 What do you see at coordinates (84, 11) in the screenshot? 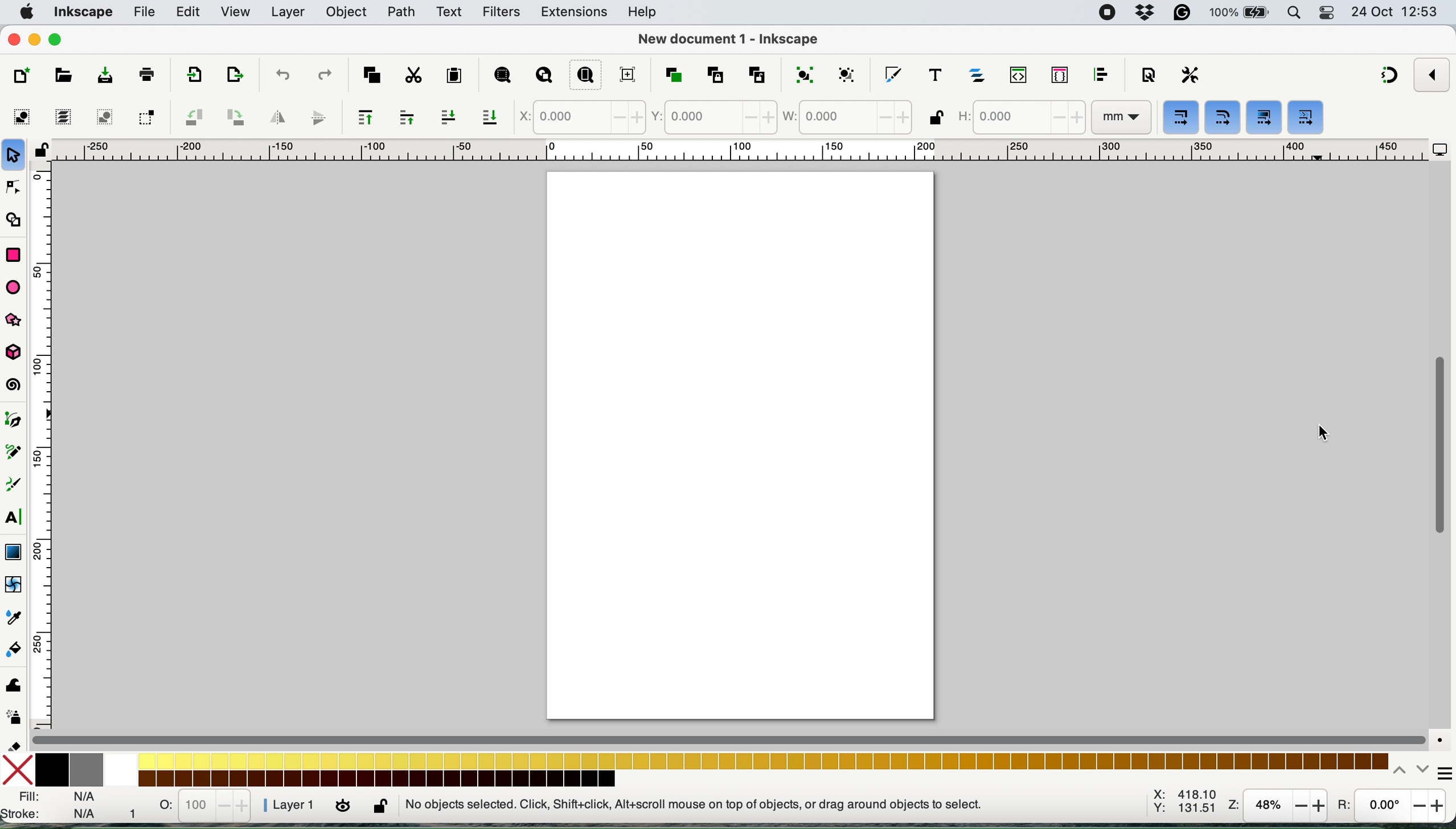
I see `inkscape` at bounding box center [84, 11].